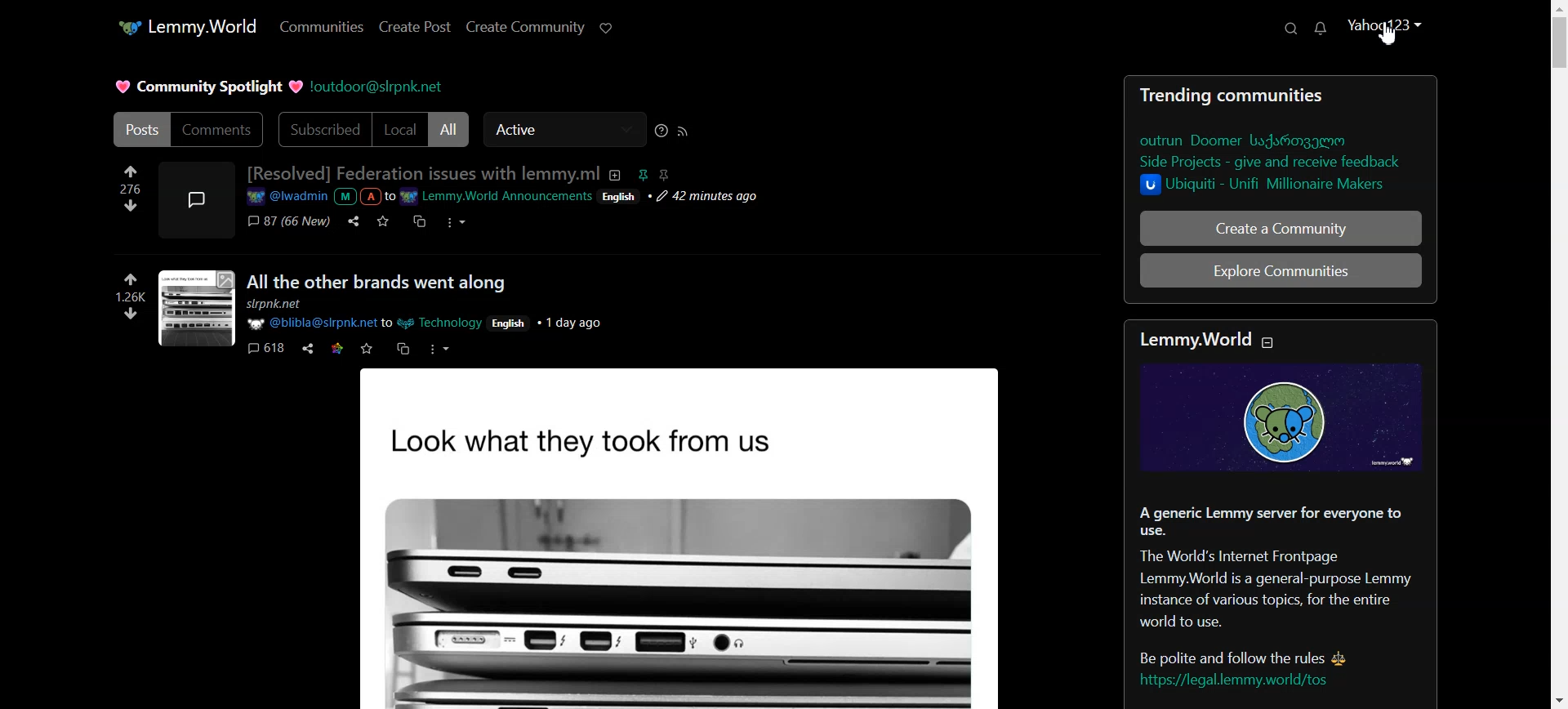 This screenshot has width=1568, height=709. What do you see at coordinates (383, 221) in the screenshot?
I see `save` at bounding box center [383, 221].